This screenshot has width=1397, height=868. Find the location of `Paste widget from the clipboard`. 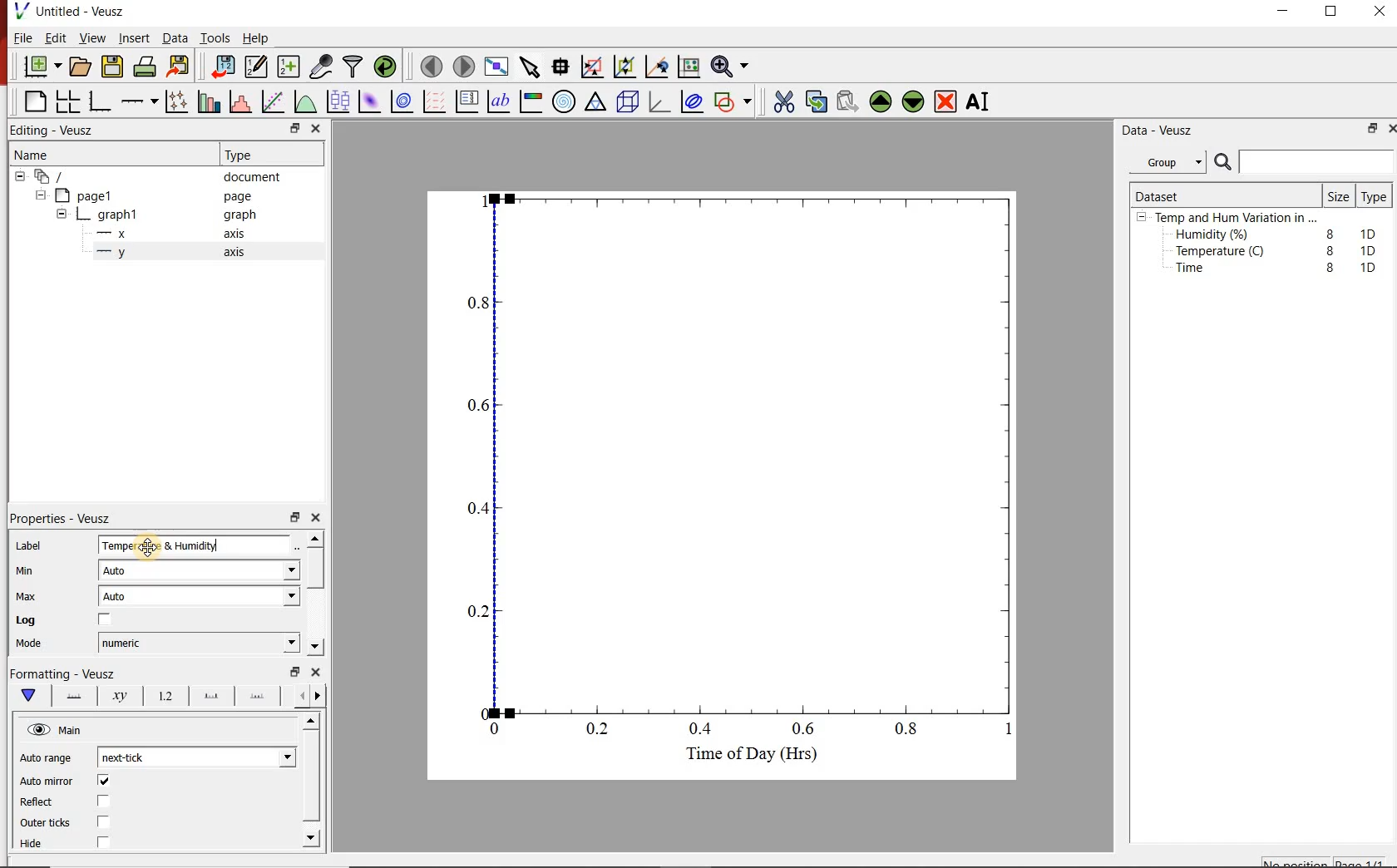

Paste widget from the clipboard is located at coordinates (848, 101).